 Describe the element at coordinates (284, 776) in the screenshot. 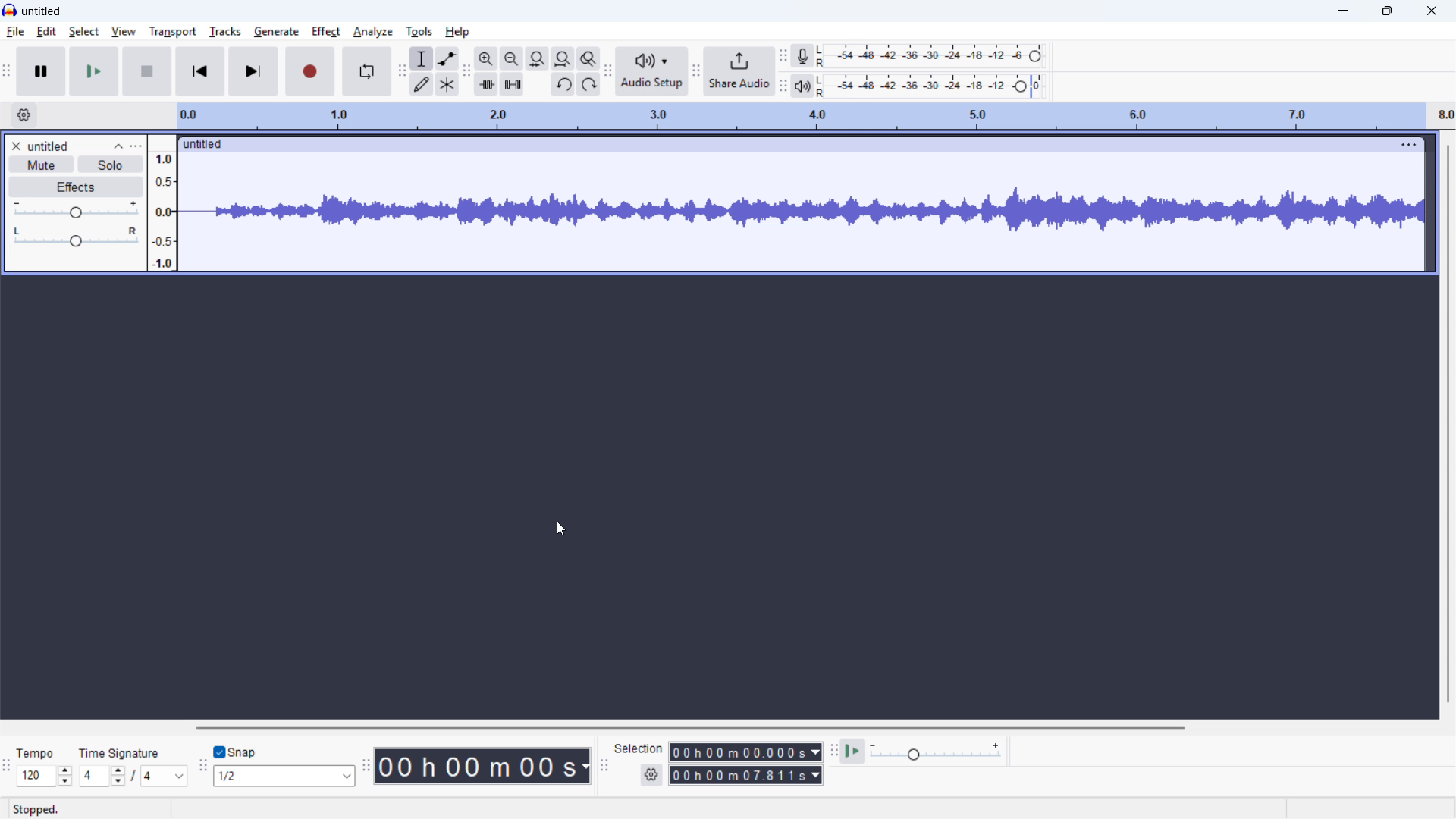

I see `Set snapping ` at that location.